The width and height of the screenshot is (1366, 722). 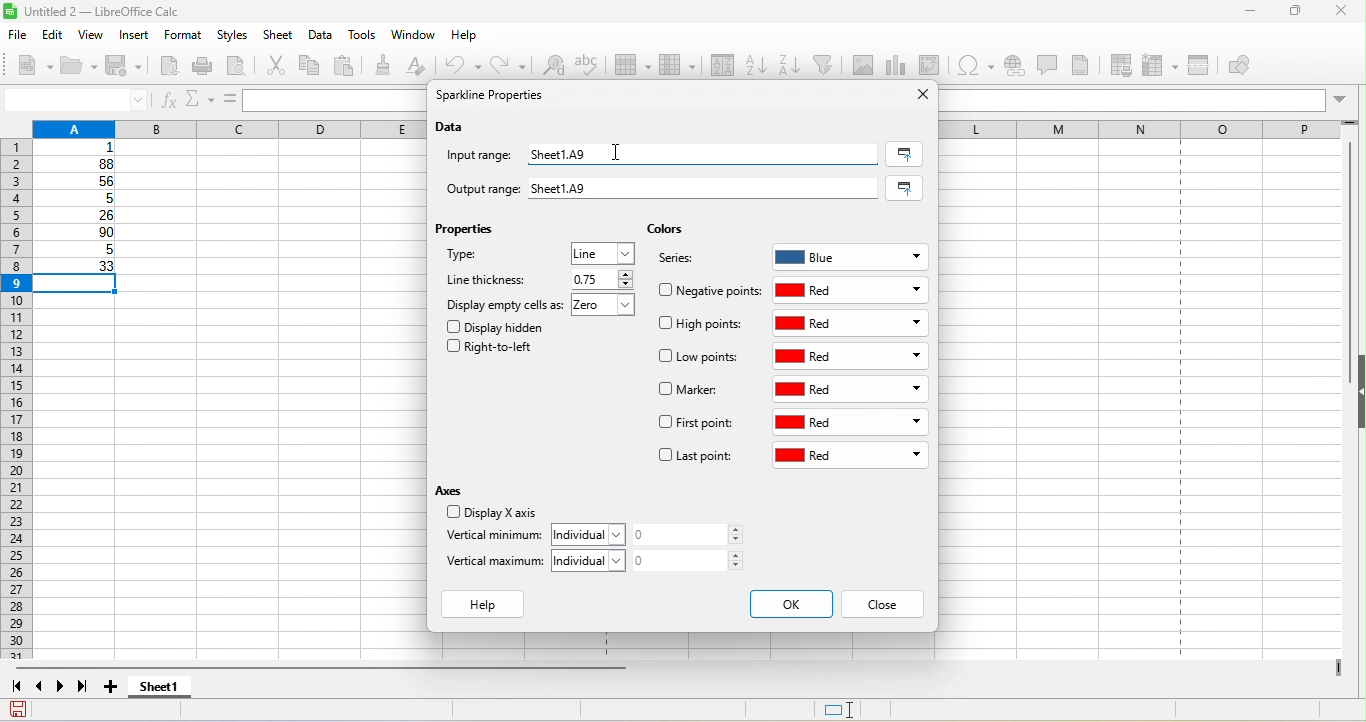 I want to click on high points, so click(x=702, y=327).